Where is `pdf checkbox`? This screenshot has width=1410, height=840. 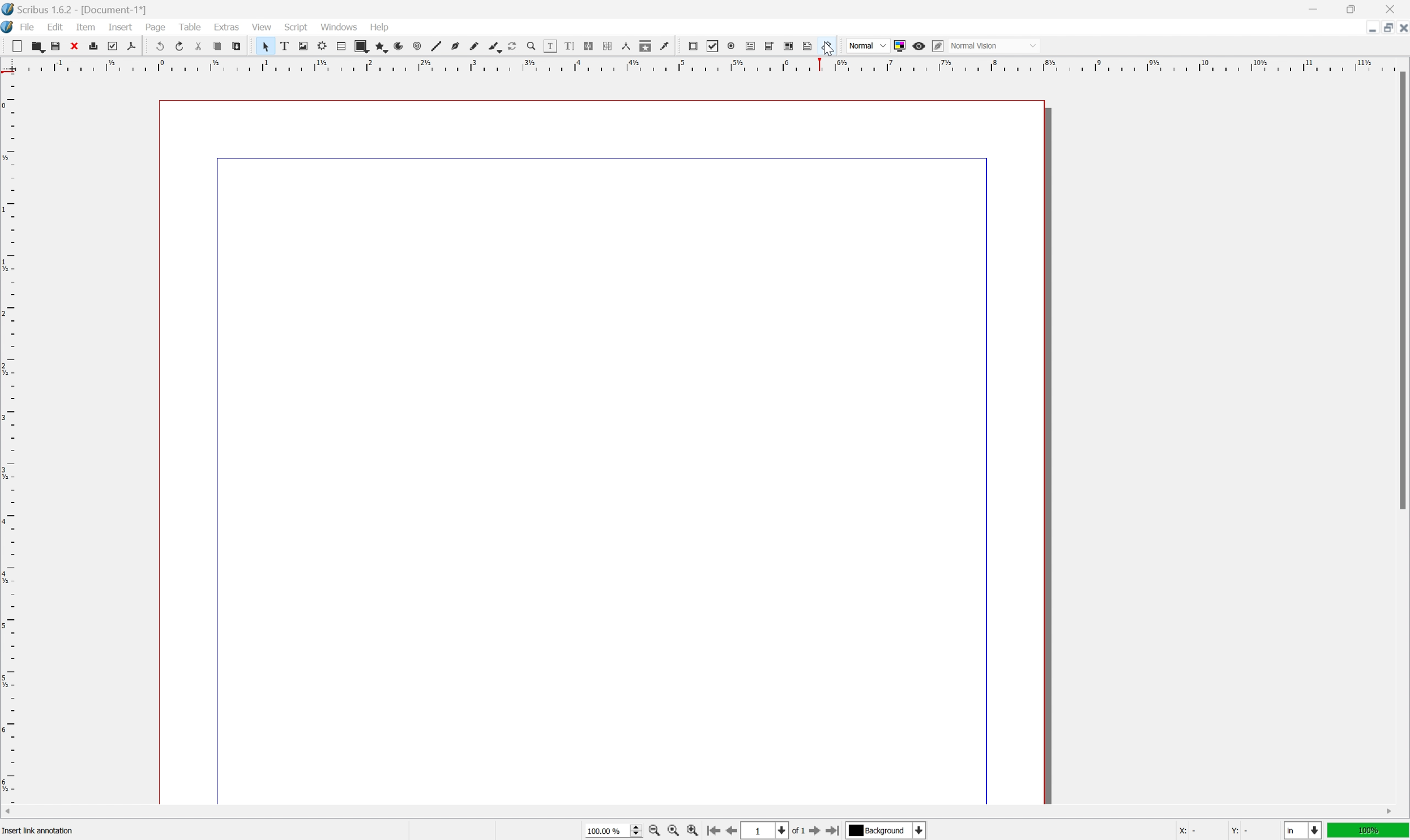 pdf checkbox is located at coordinates (713, 47).